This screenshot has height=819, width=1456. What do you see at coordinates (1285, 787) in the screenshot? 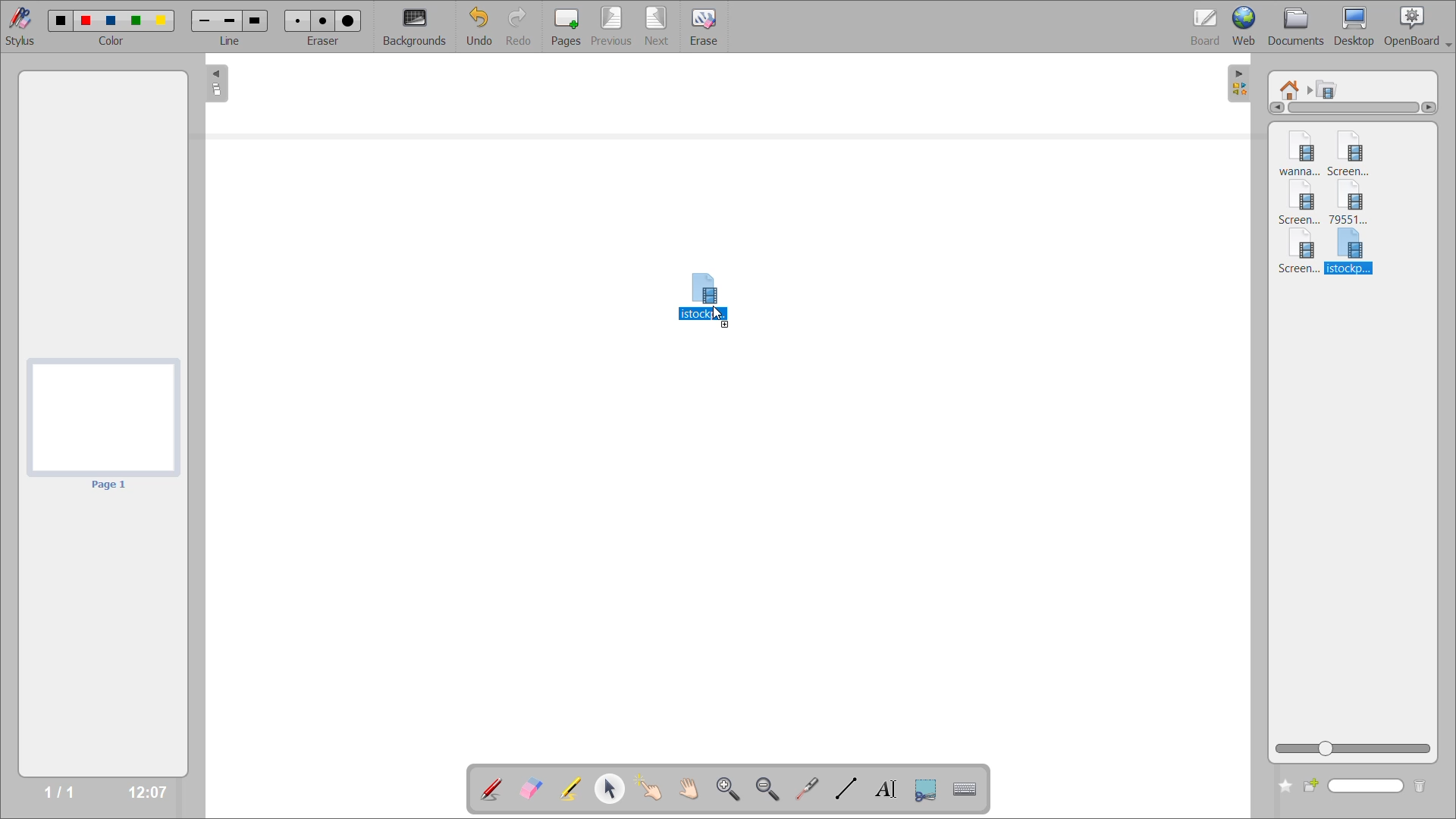
I see `create new folder` at bounding box center [1285, 787].